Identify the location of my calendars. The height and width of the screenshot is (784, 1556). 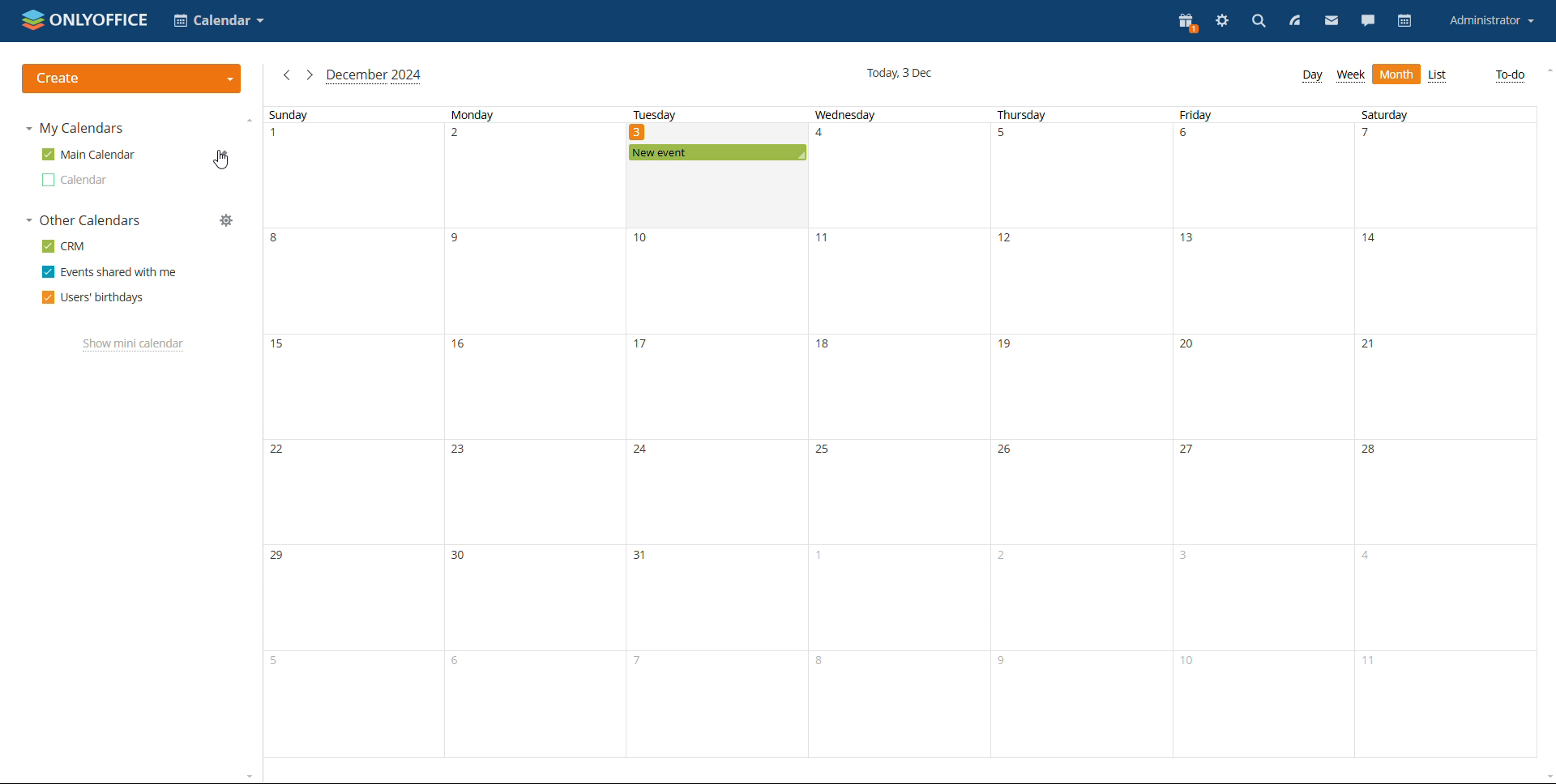
(75, 128).